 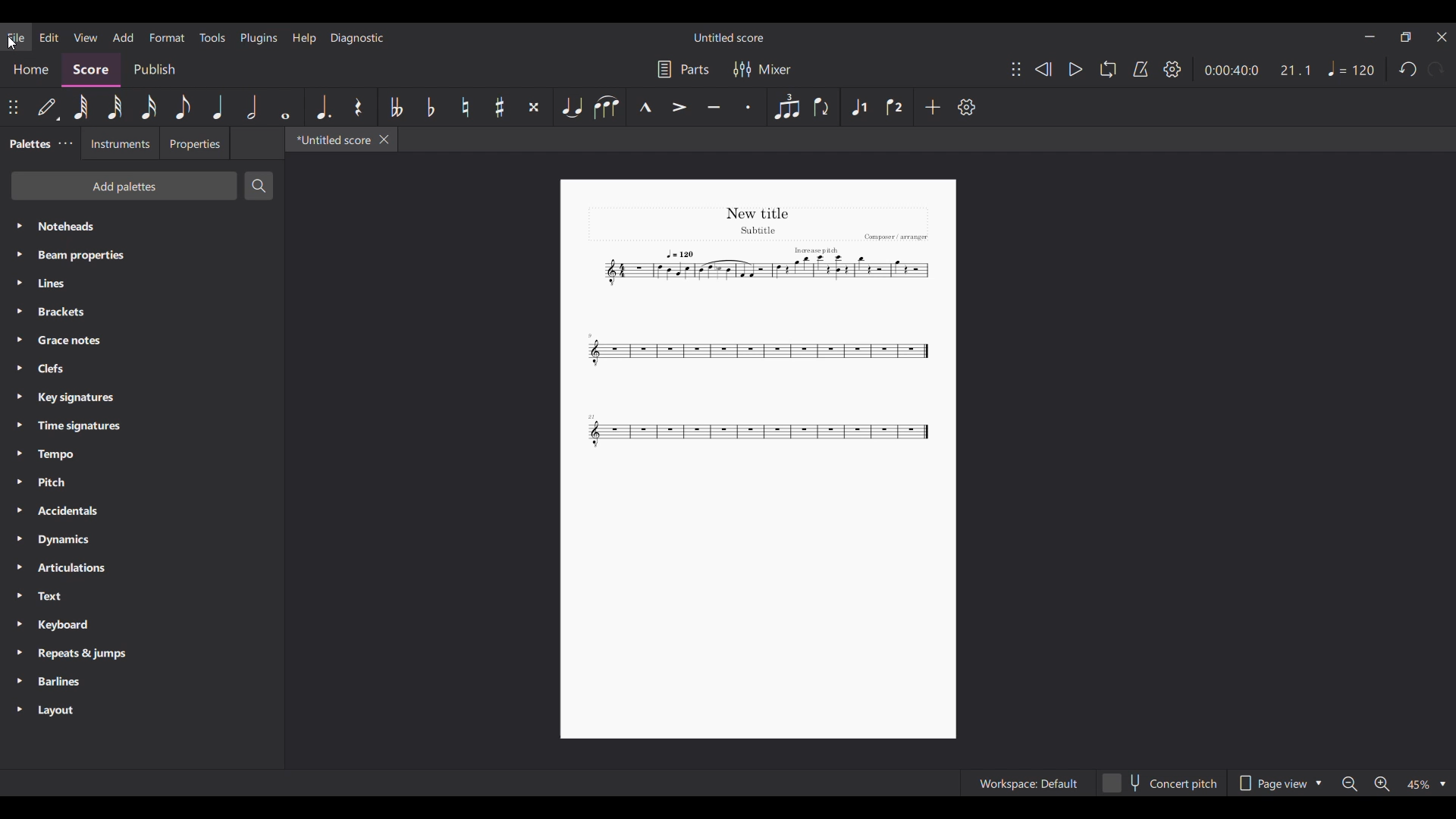 What do you see at coordinates (143, 510) in the screenshot?
I see `Accidentals` at bounding box center [143, 510].